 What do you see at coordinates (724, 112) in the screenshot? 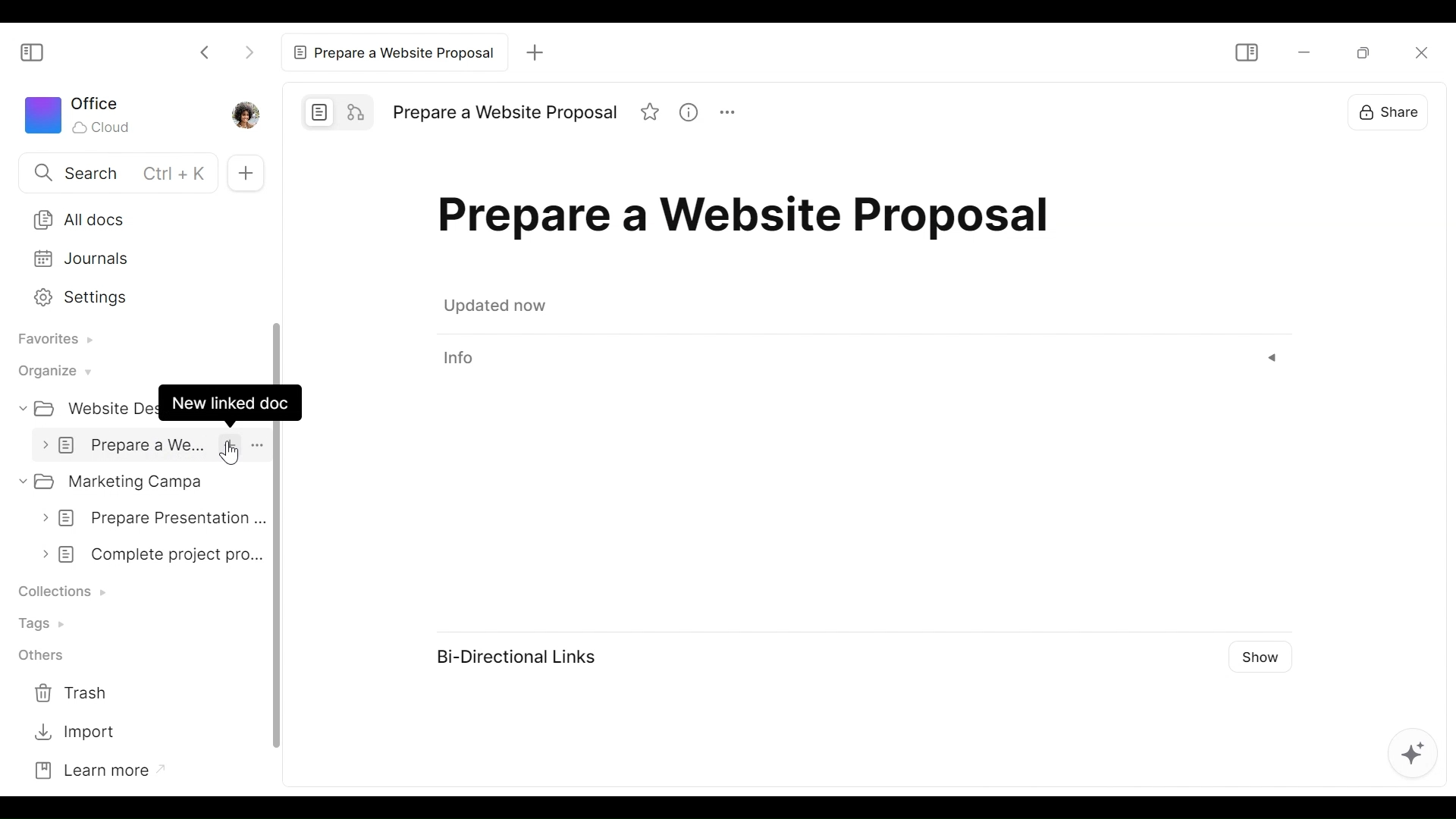
I see `more` at bounding box center [724, 112].